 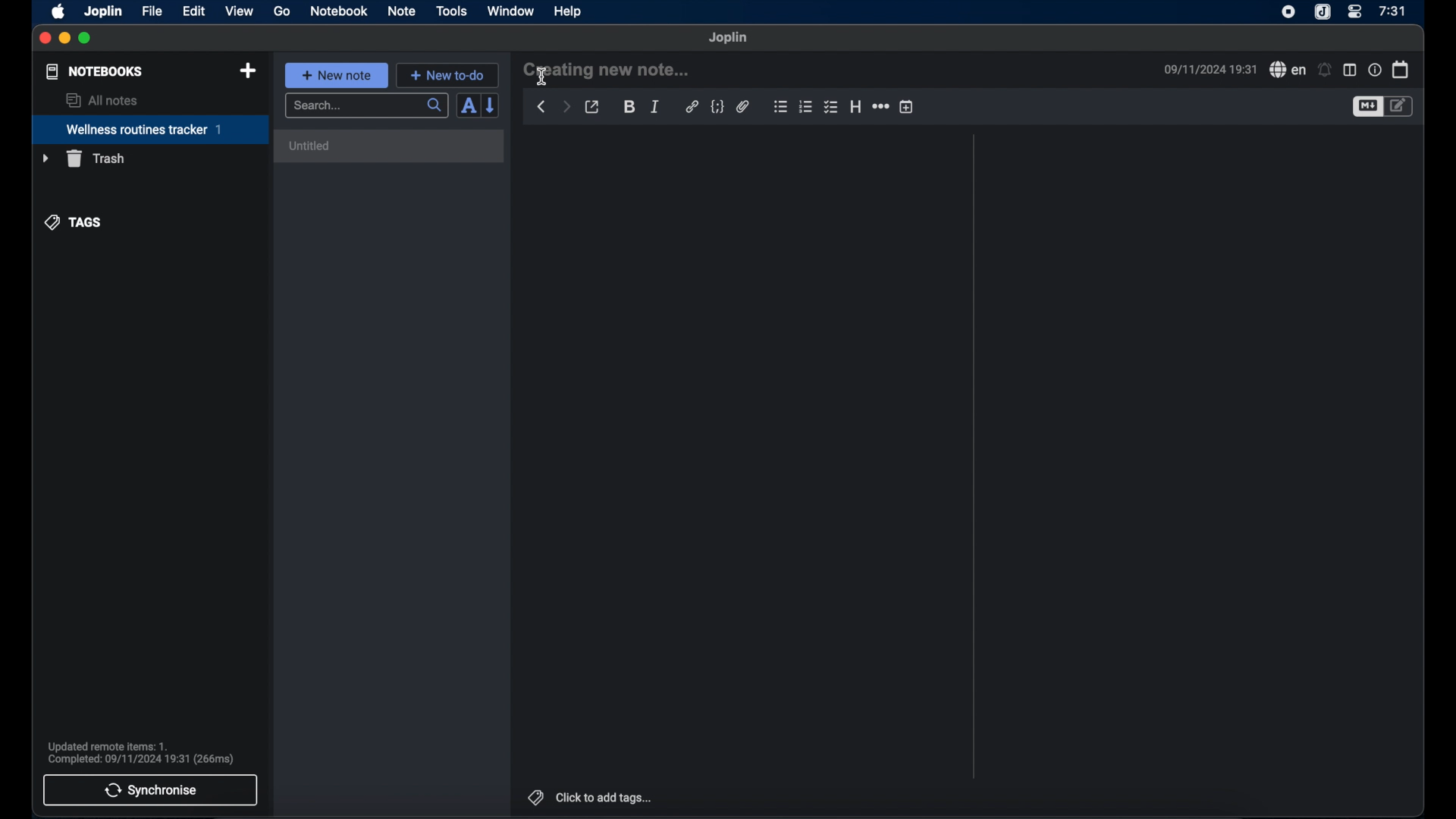 I want to click on numbered list, so click(x=806, y=107).